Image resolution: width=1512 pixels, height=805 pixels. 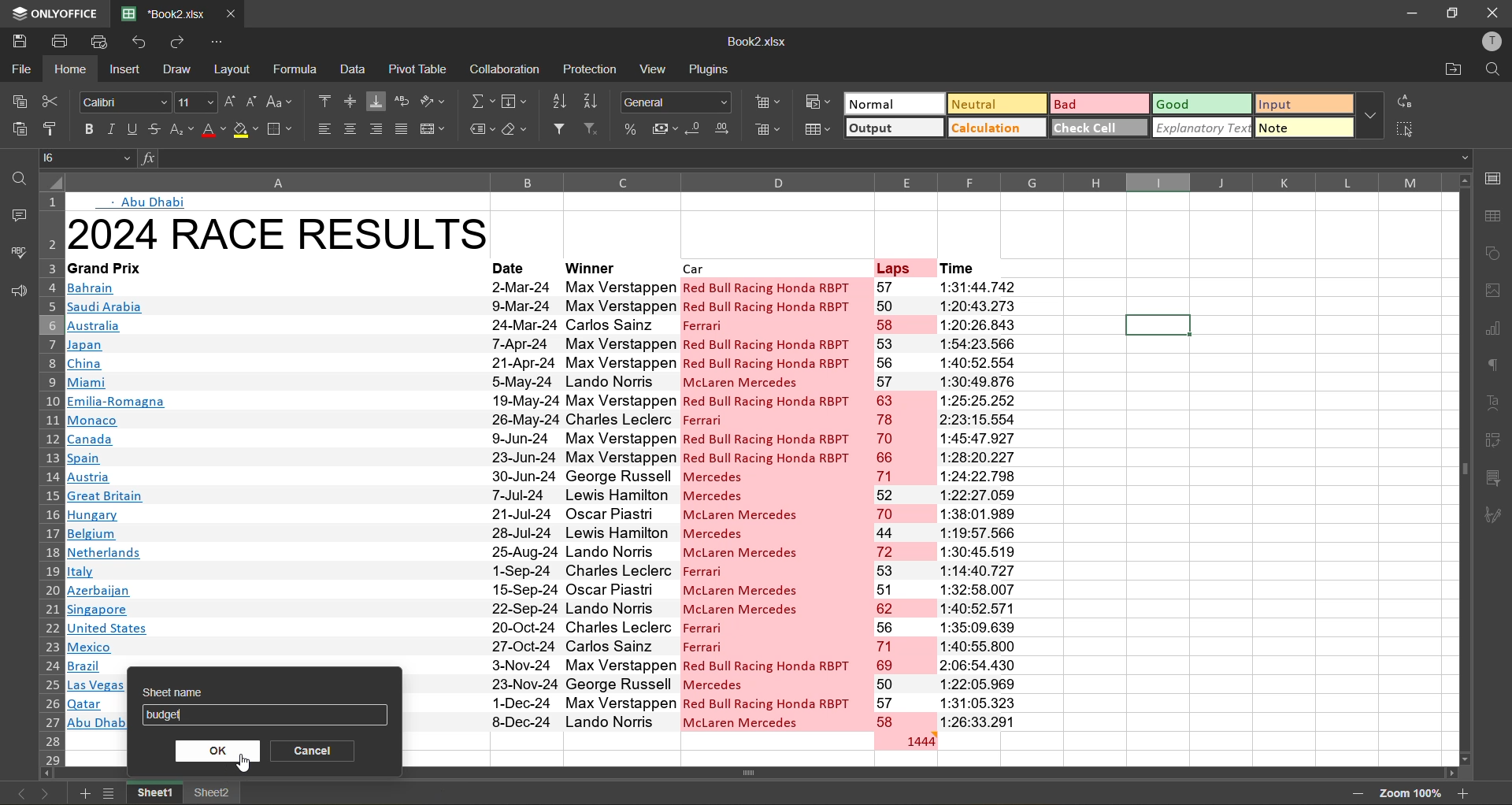 What do you see at coordinates (775, 503) in the screenshot?
I see `car name` at bounding box center [775, 503].